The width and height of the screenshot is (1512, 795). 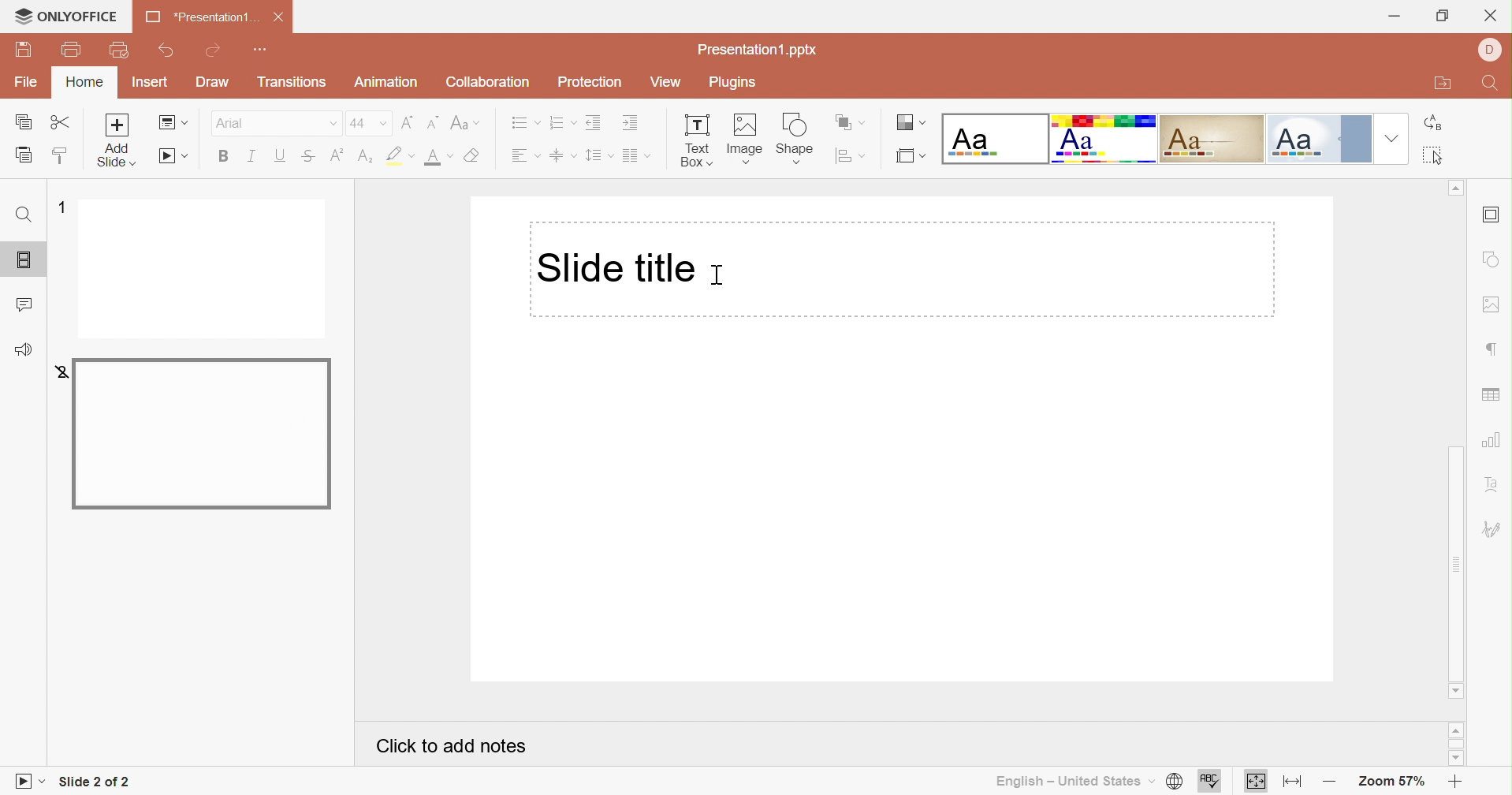 What do you see at coordinates (226, 157) in the screenshot?
I see `Bold` at bounding box center [226, 157].